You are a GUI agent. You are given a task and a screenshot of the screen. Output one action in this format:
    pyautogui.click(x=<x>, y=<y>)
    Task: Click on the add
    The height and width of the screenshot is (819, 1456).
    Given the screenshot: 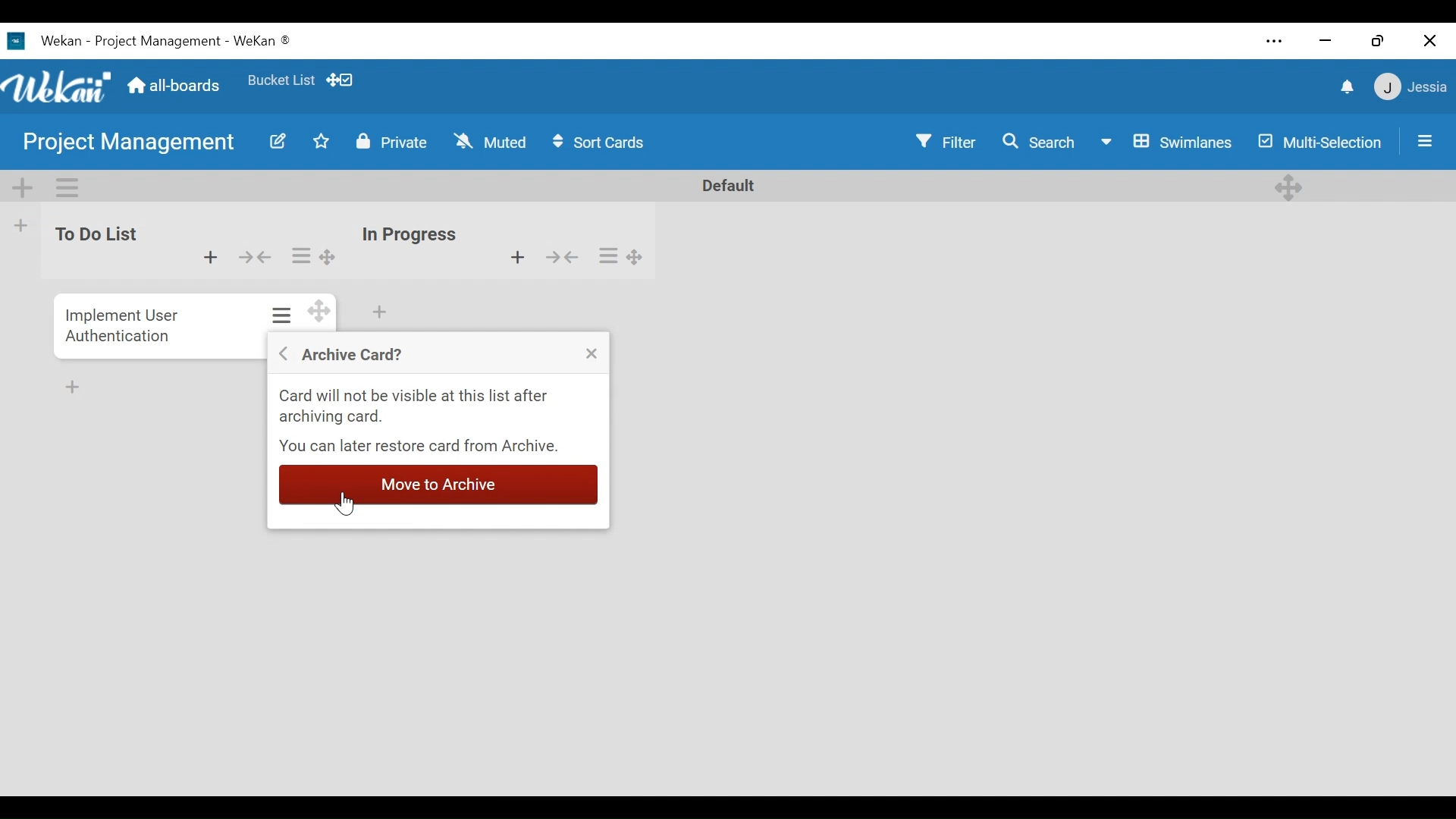 What is the action you would take?
    pyautogui.click(x=507, y=257)
    